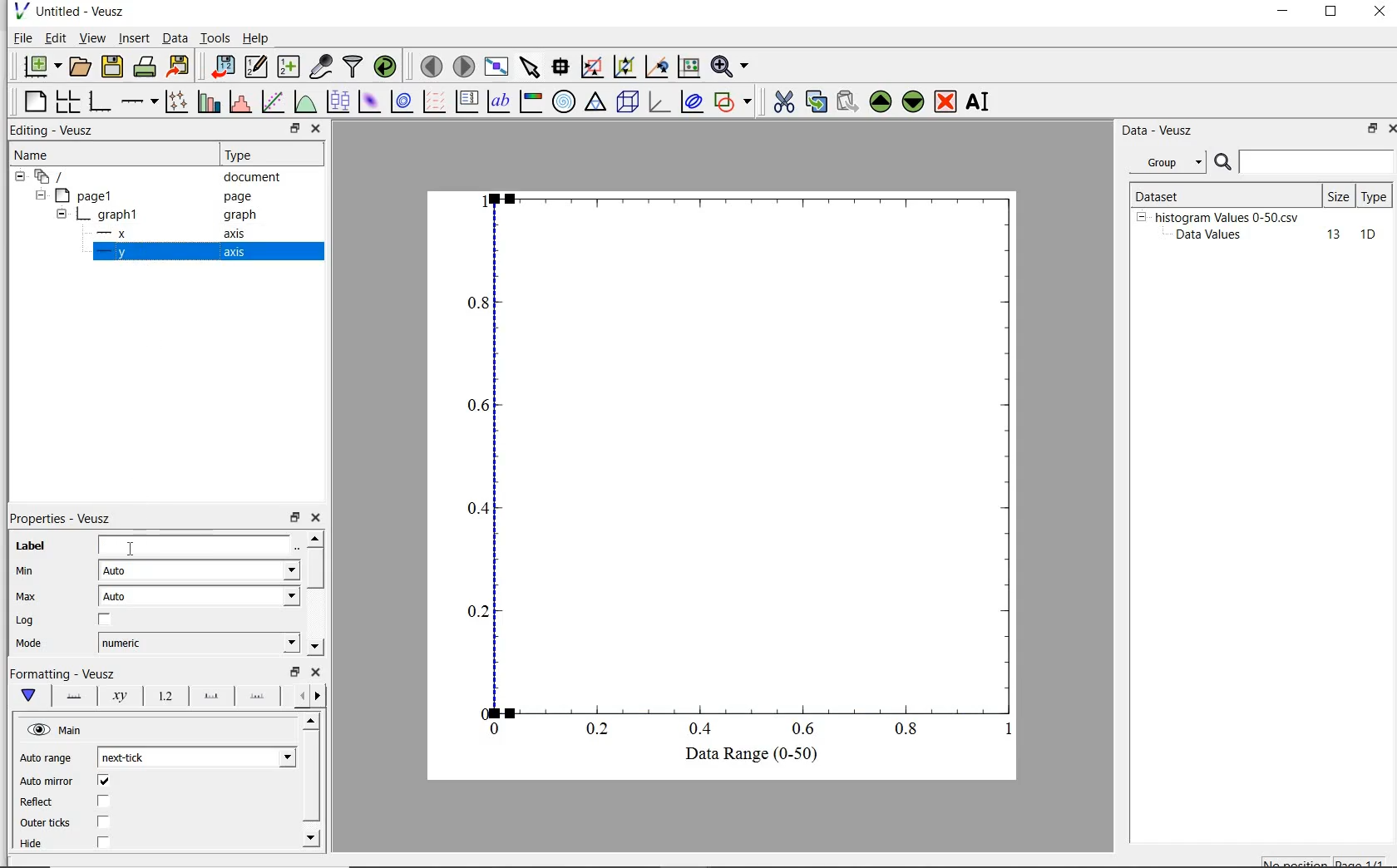  What do you see at coordinates (295, 672) in the screenshot?
I see `restore down` at bounding box center [295, 672].